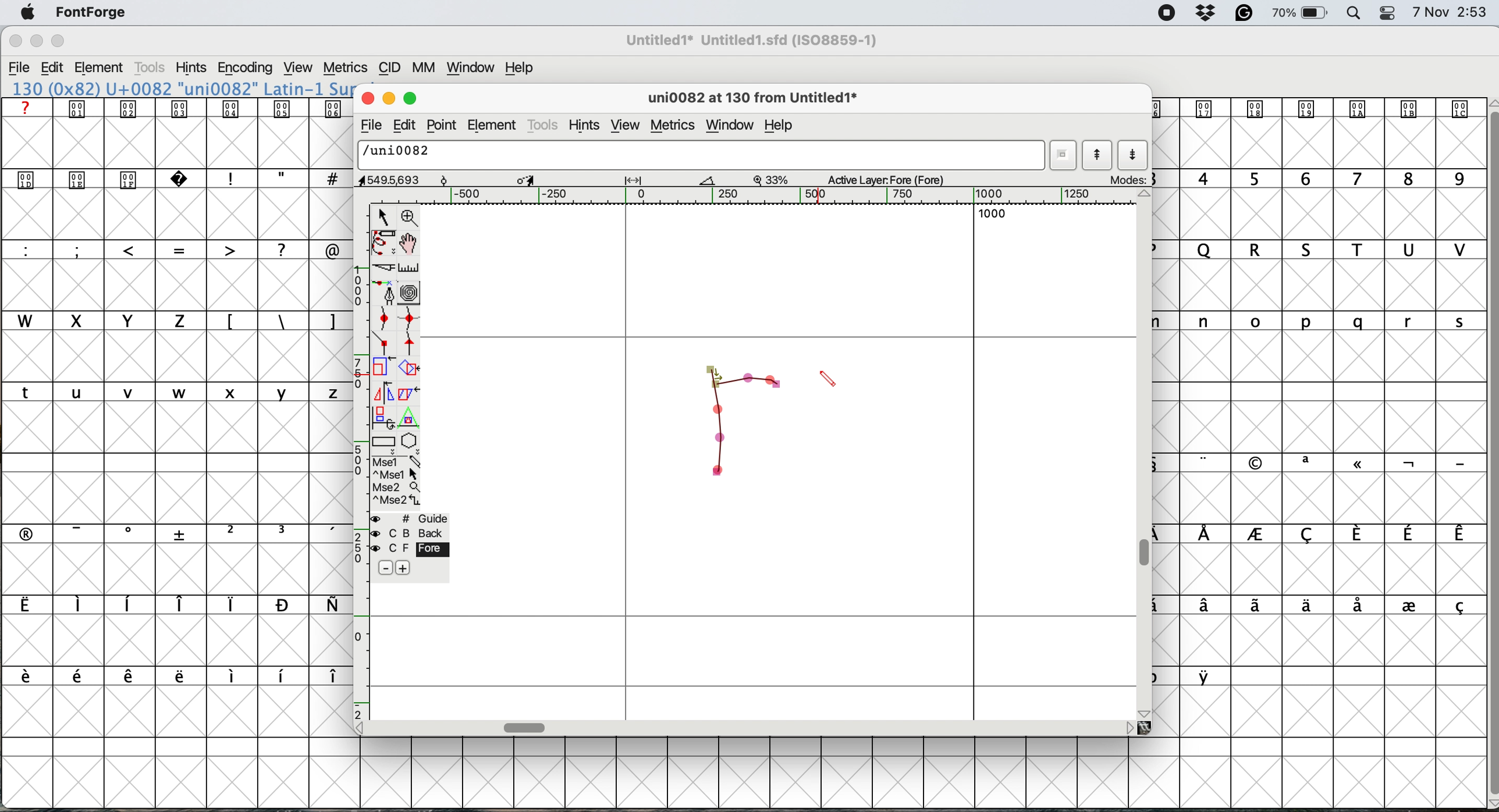 The width and height of the screenshot is (1499, 812). What do you see at coordinates (1315, 180) in the screenshot?
I see `digits` at bounding box center [1315, 180].